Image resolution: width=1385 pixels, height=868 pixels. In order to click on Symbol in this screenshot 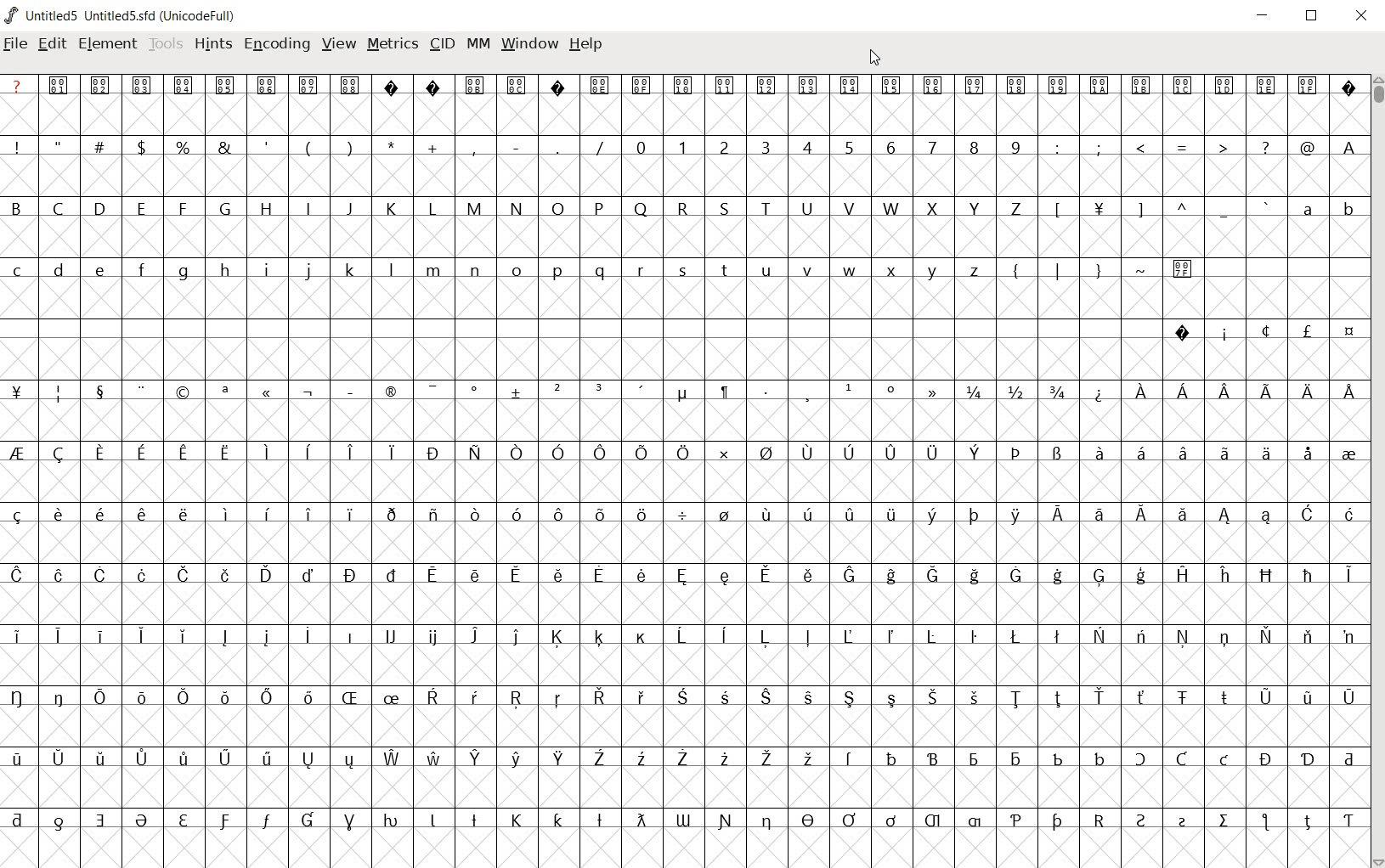, I will do `click(975, 759)`.